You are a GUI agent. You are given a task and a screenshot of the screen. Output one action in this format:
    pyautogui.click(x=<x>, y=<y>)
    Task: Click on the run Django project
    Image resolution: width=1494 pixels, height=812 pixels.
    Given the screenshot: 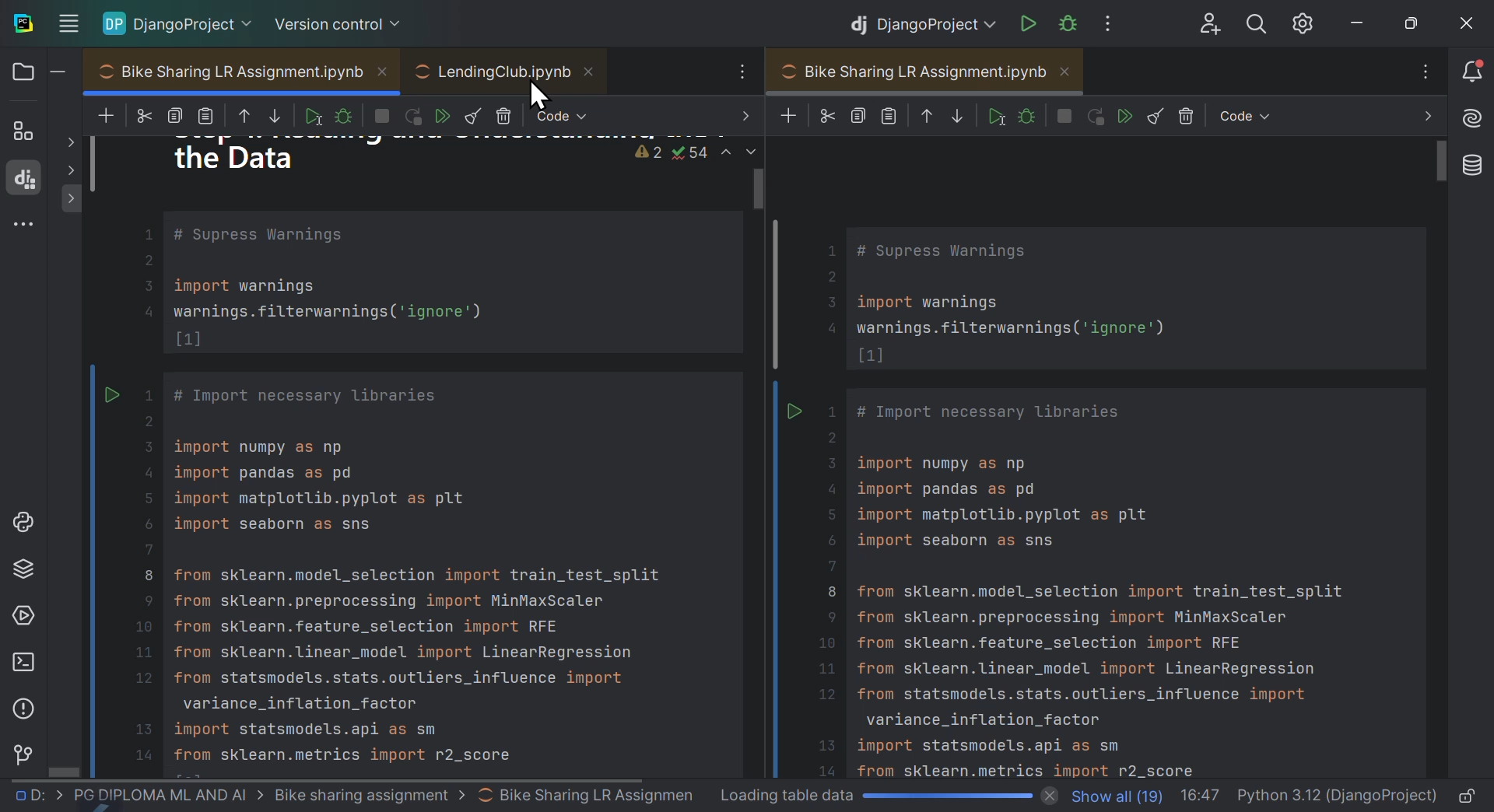 What is the action you would take?
    pyautogui.click(x=1025, y=19)
    